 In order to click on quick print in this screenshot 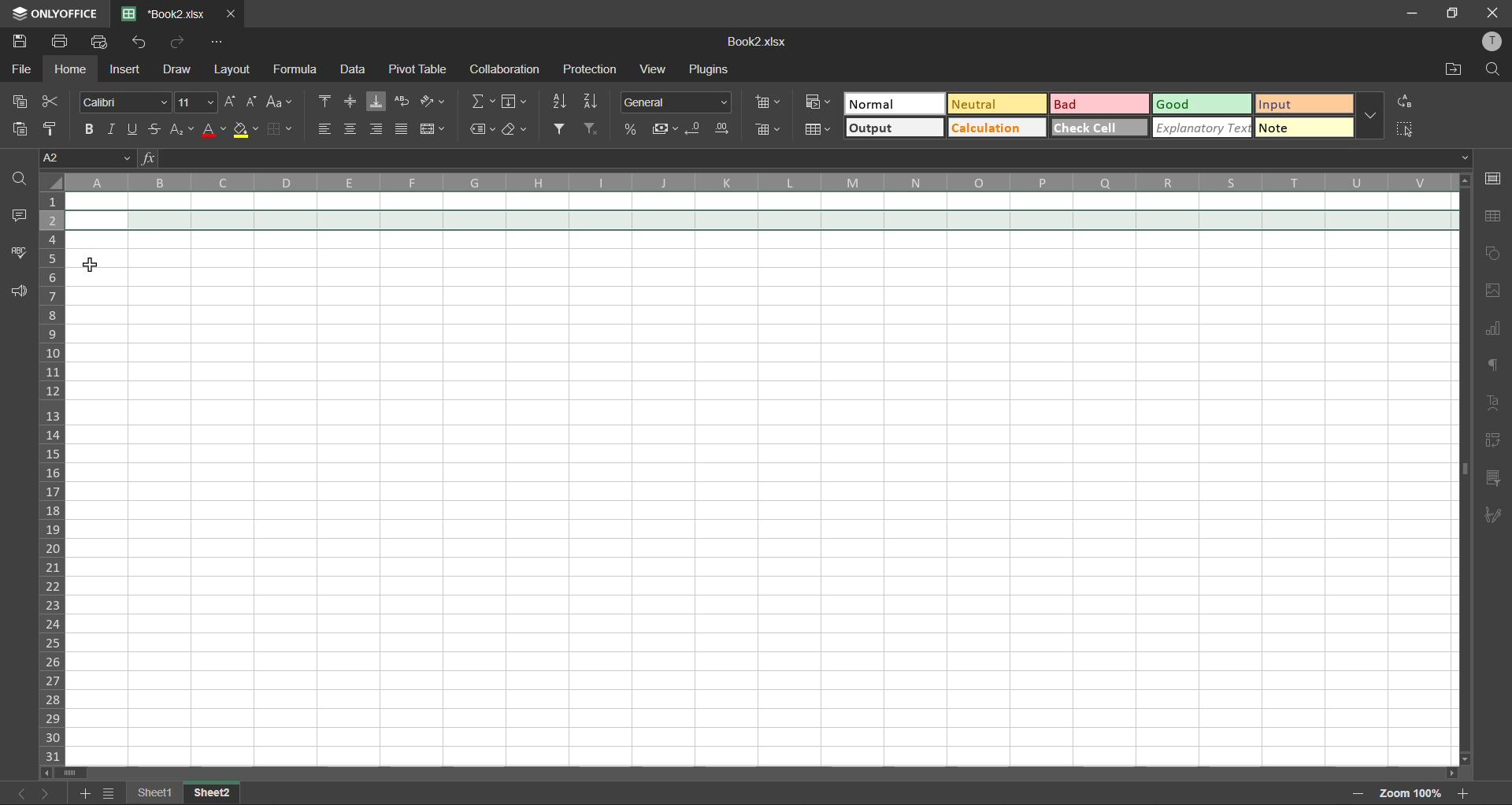, I will do `click(108, 43)`.